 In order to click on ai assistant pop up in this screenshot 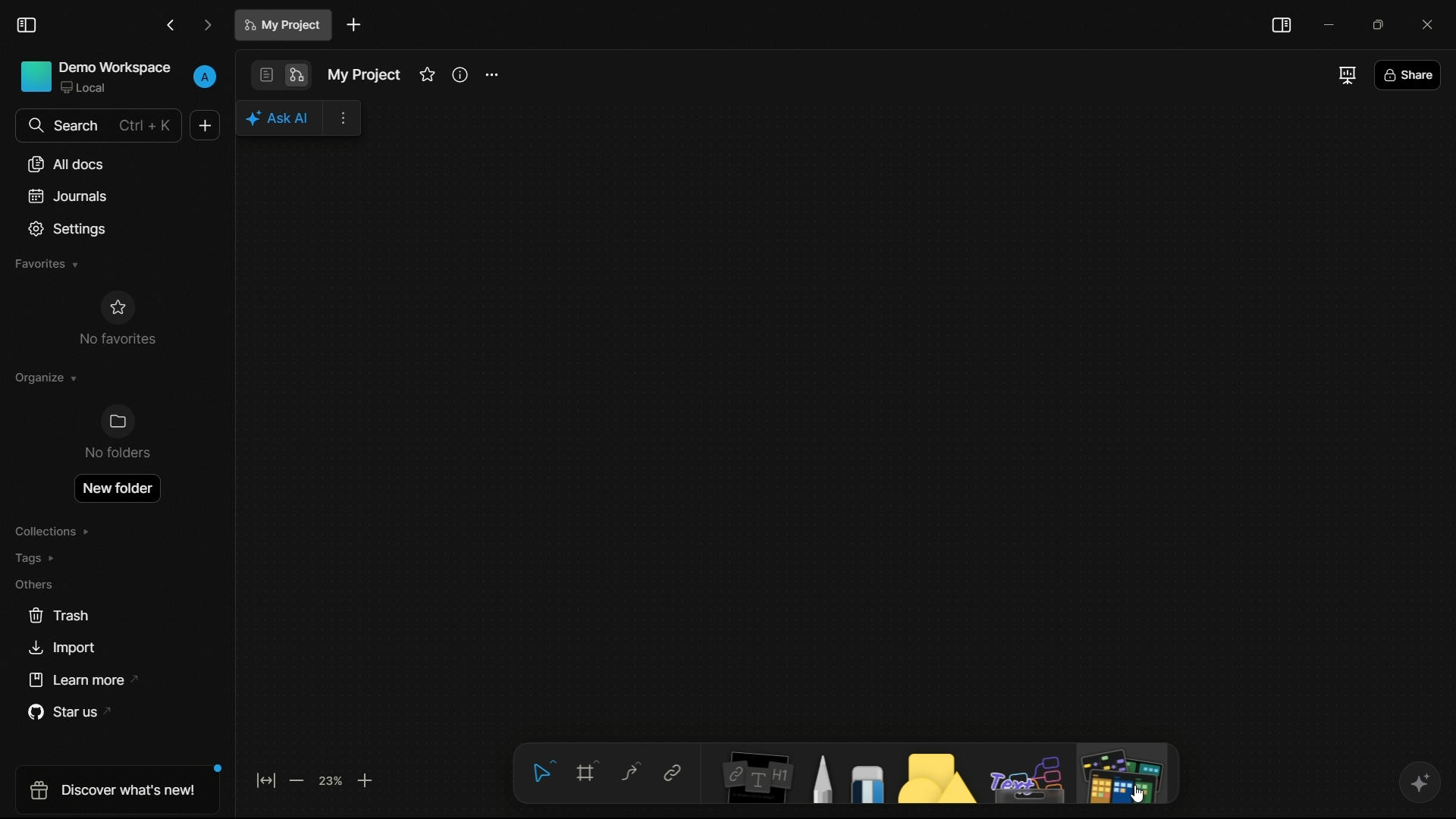, I will do `click(281, 118)`.